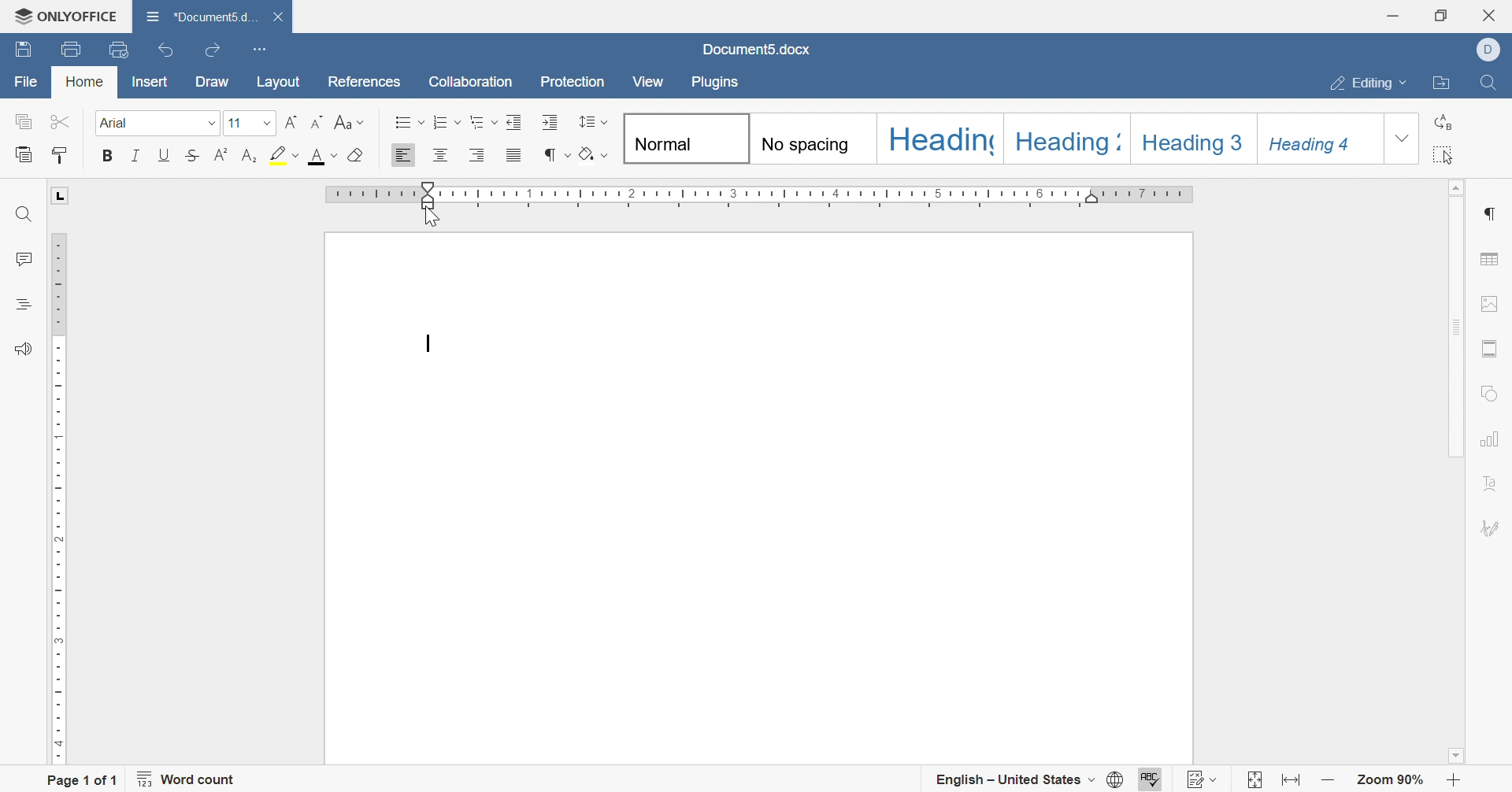 The height and width of the screenshot is (792, 1512). Describe the element at coordinates (190, 779) in the screenshot. I see `word count` at that location.